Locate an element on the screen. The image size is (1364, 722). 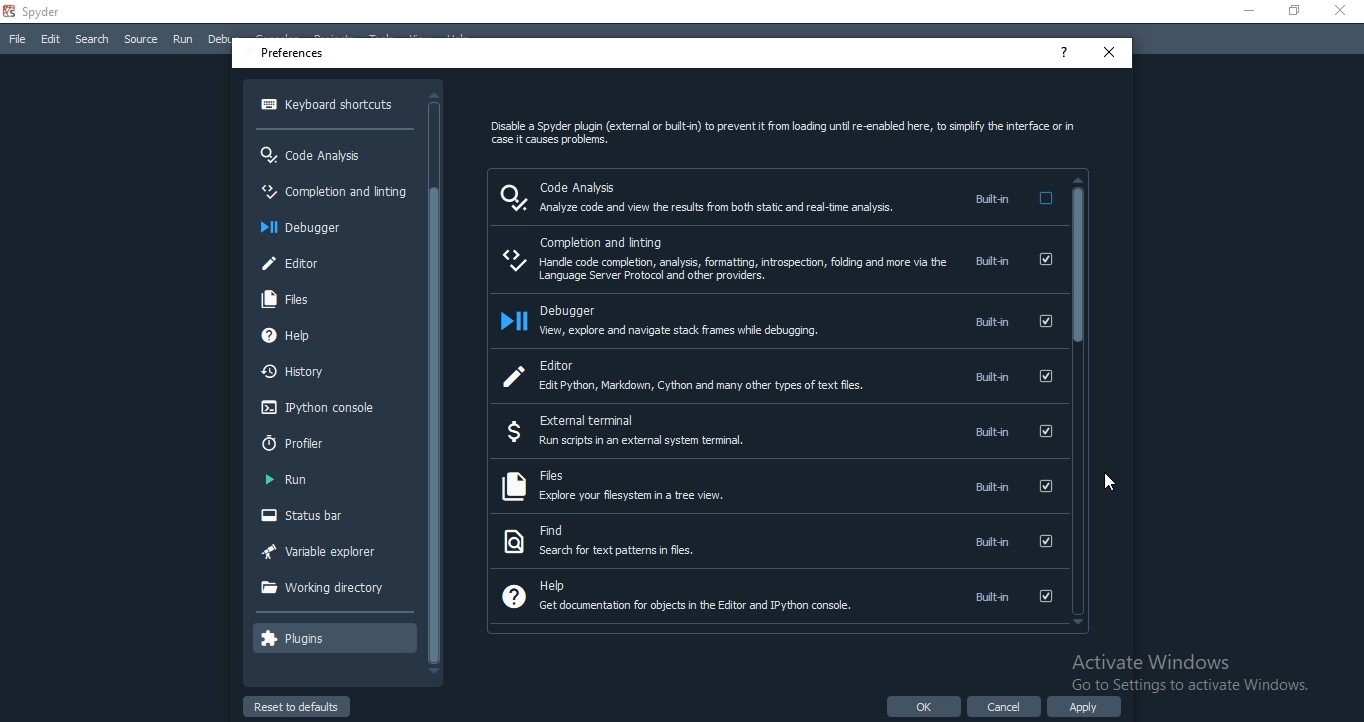
Source is located at coordinates (140, 40).